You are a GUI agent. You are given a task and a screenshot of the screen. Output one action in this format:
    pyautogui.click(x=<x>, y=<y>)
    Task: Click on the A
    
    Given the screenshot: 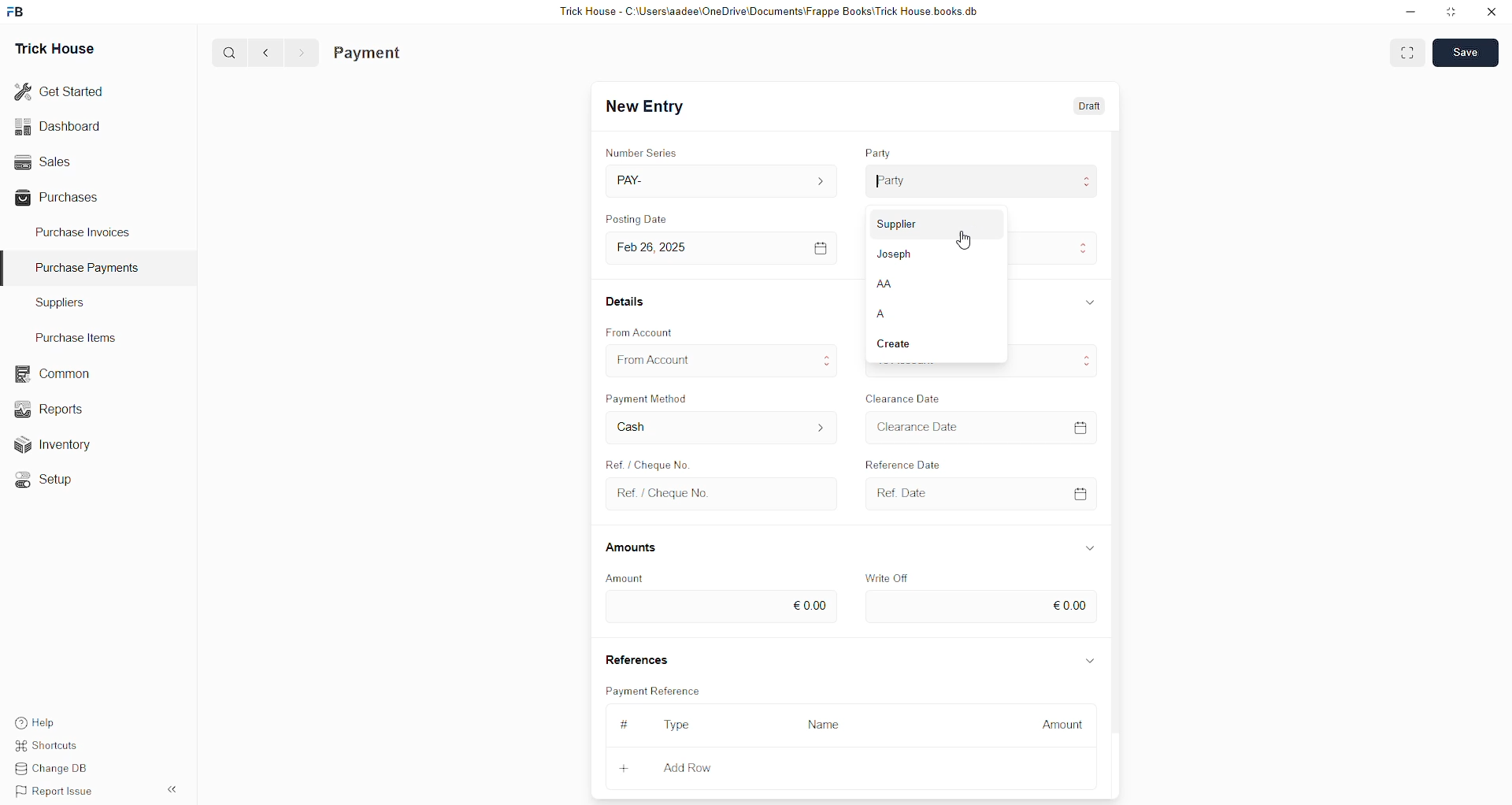 What is the action you would take?
    pyautogui.click(x=896, y=313)
    